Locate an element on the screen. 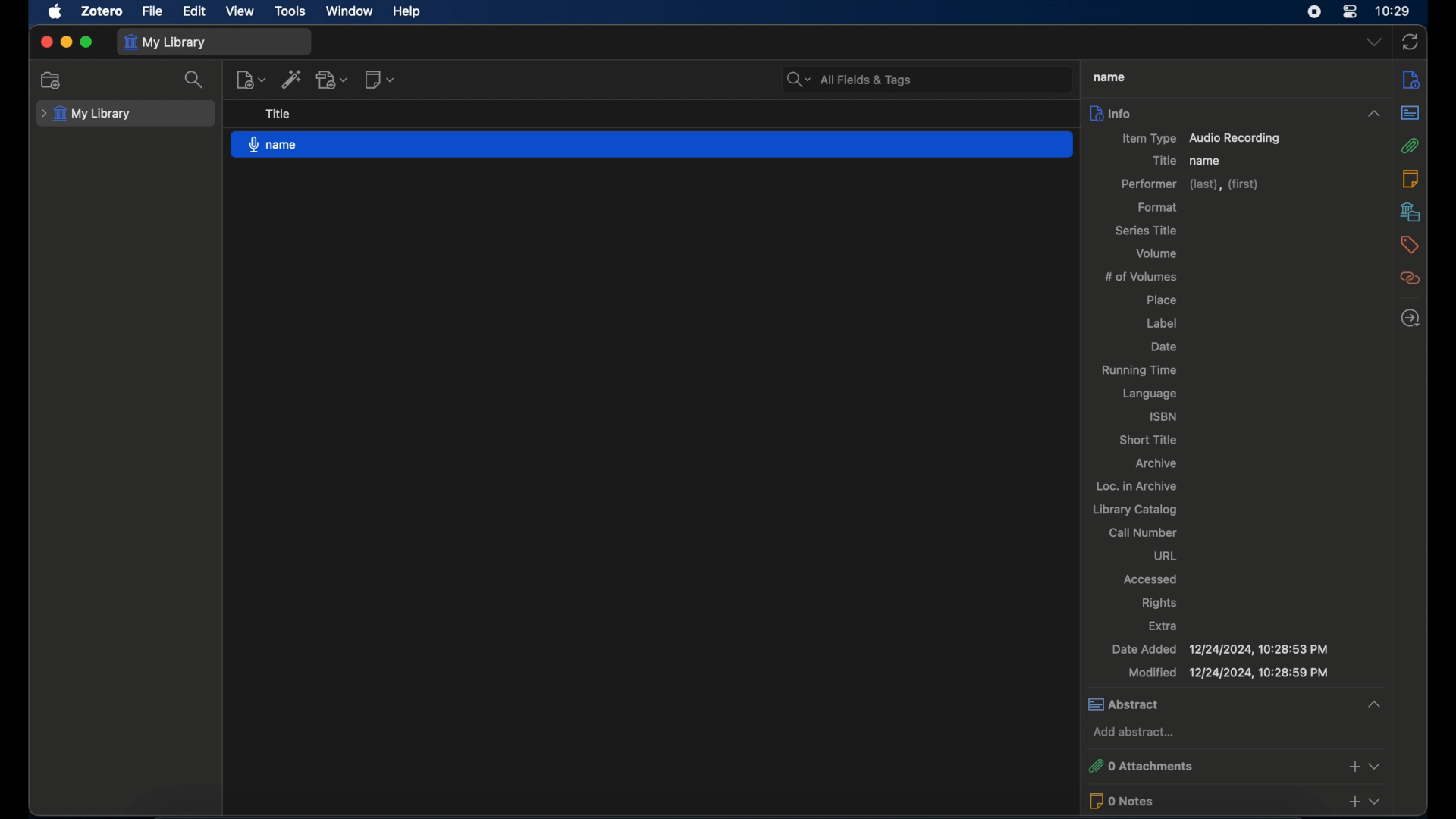 The image size is (1456, 819). view is located at coordinates (241, 11).